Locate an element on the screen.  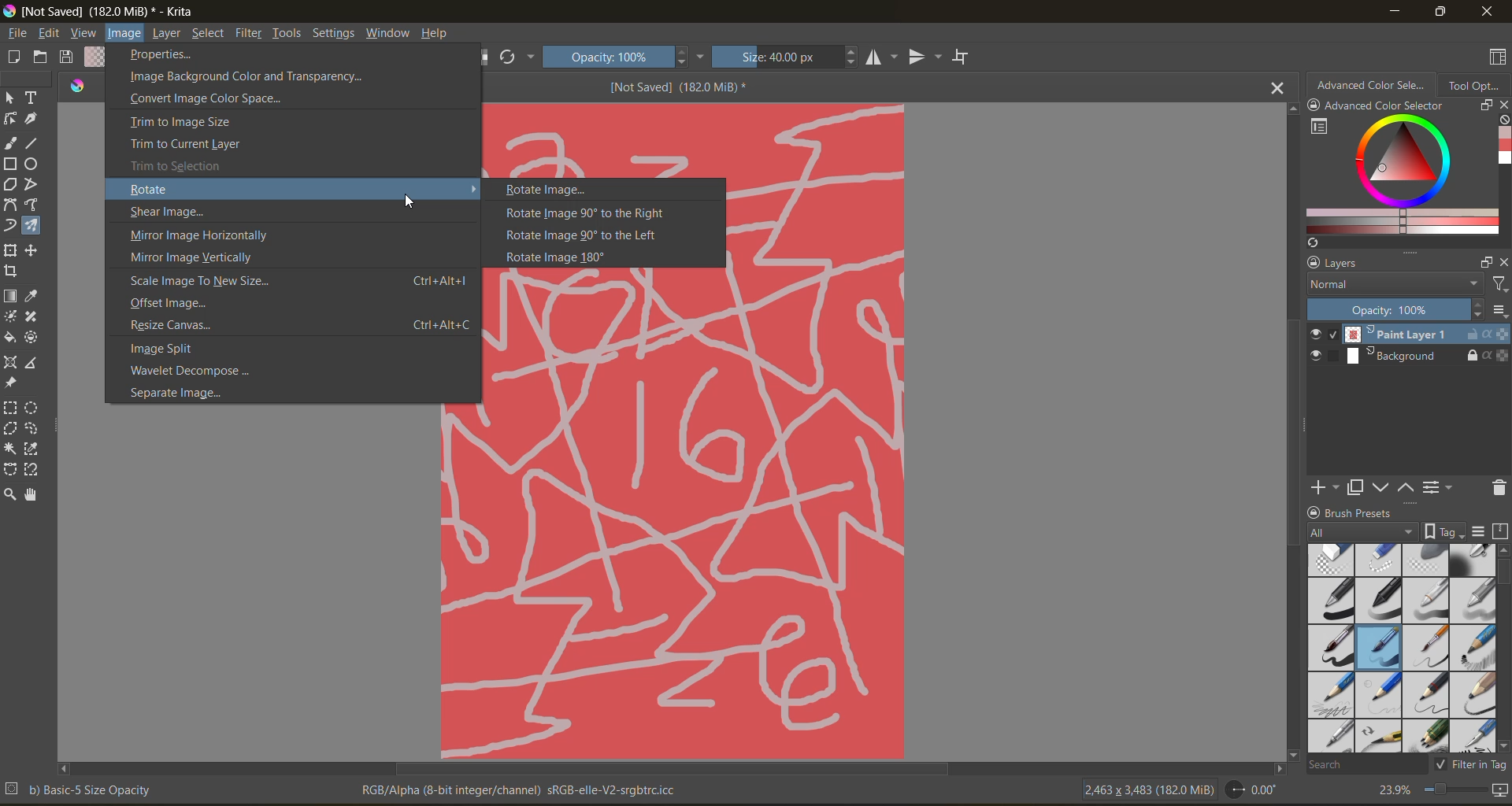
lock docker is located at coordinates (1314, 263).